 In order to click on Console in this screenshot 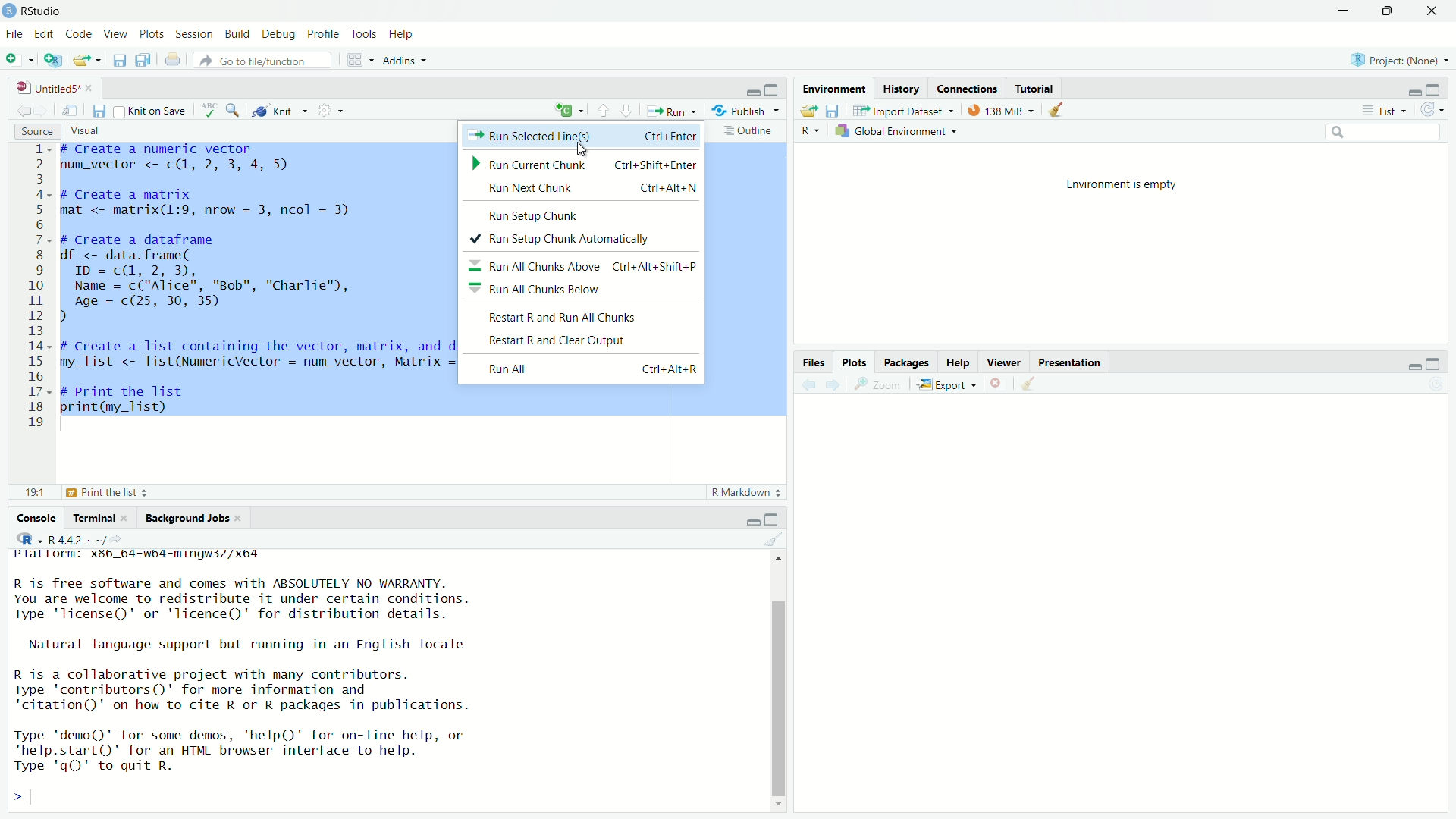, I will do `click(39, 517)`.